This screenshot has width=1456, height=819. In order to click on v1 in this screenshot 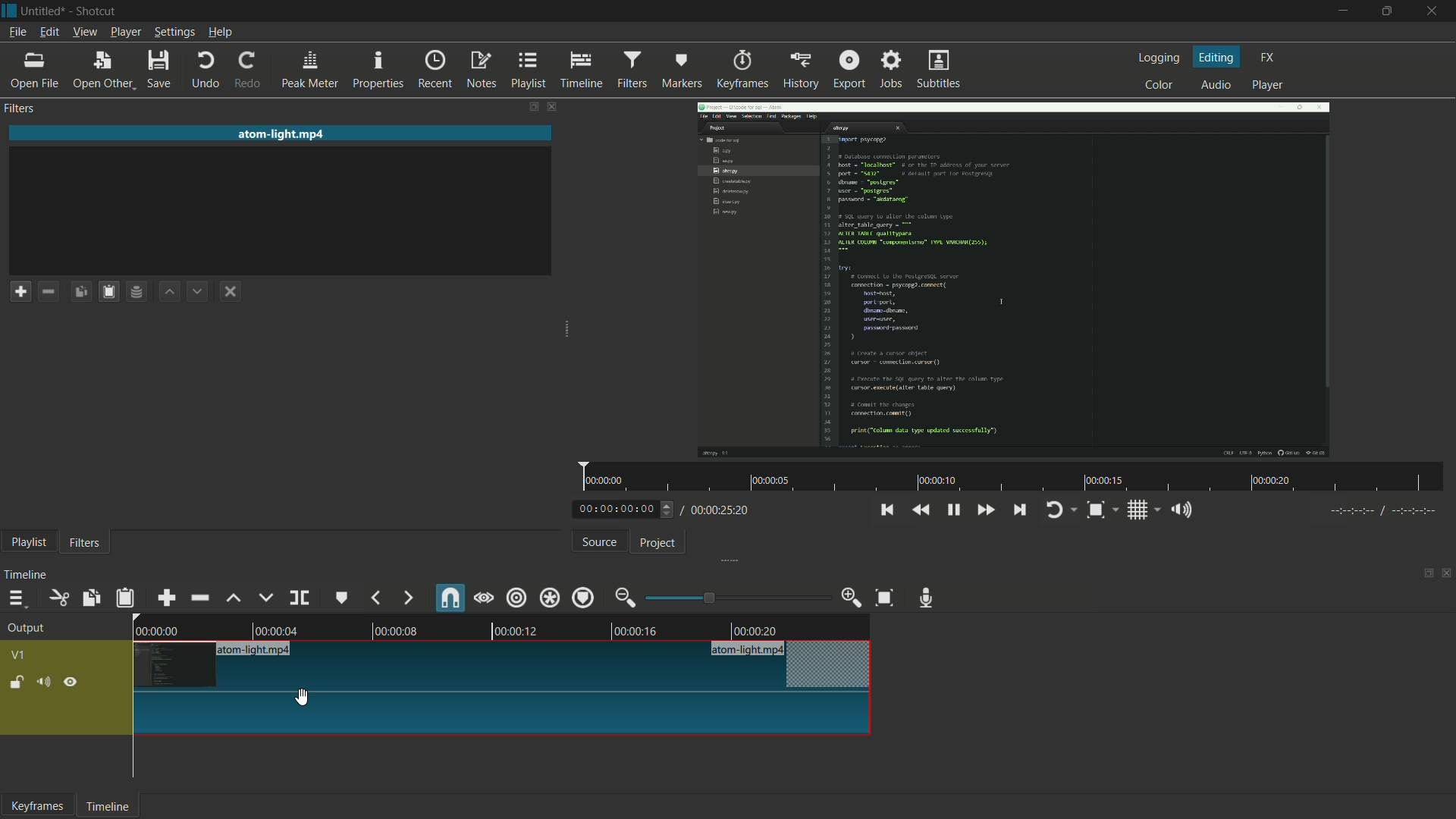, I will do `click(17, 654)`.